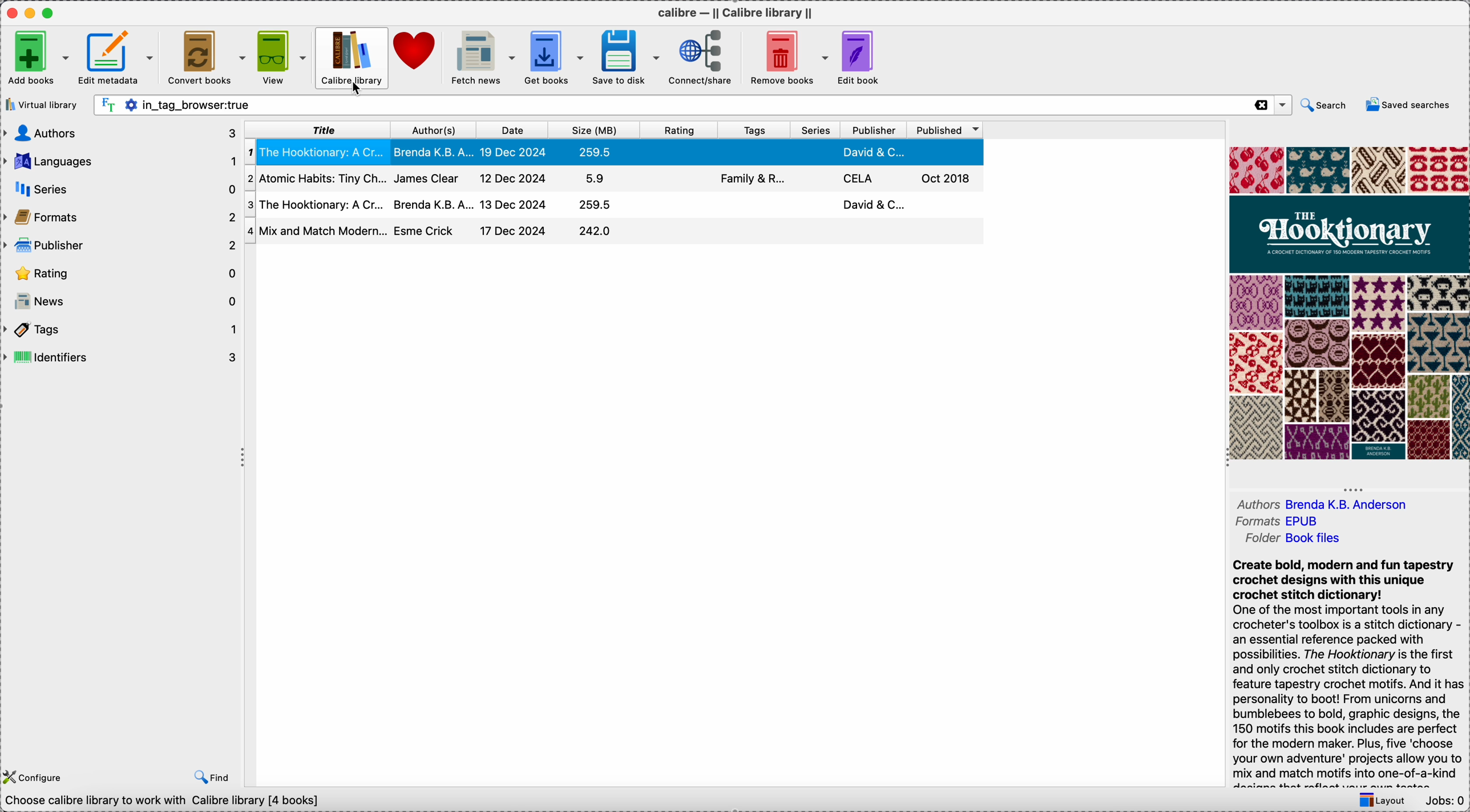 Image resolution: width=1470 pixels, height=812 pixels. Describe the element at coordinates (1386, 800) in the screenshot. I see `layout` at that location.